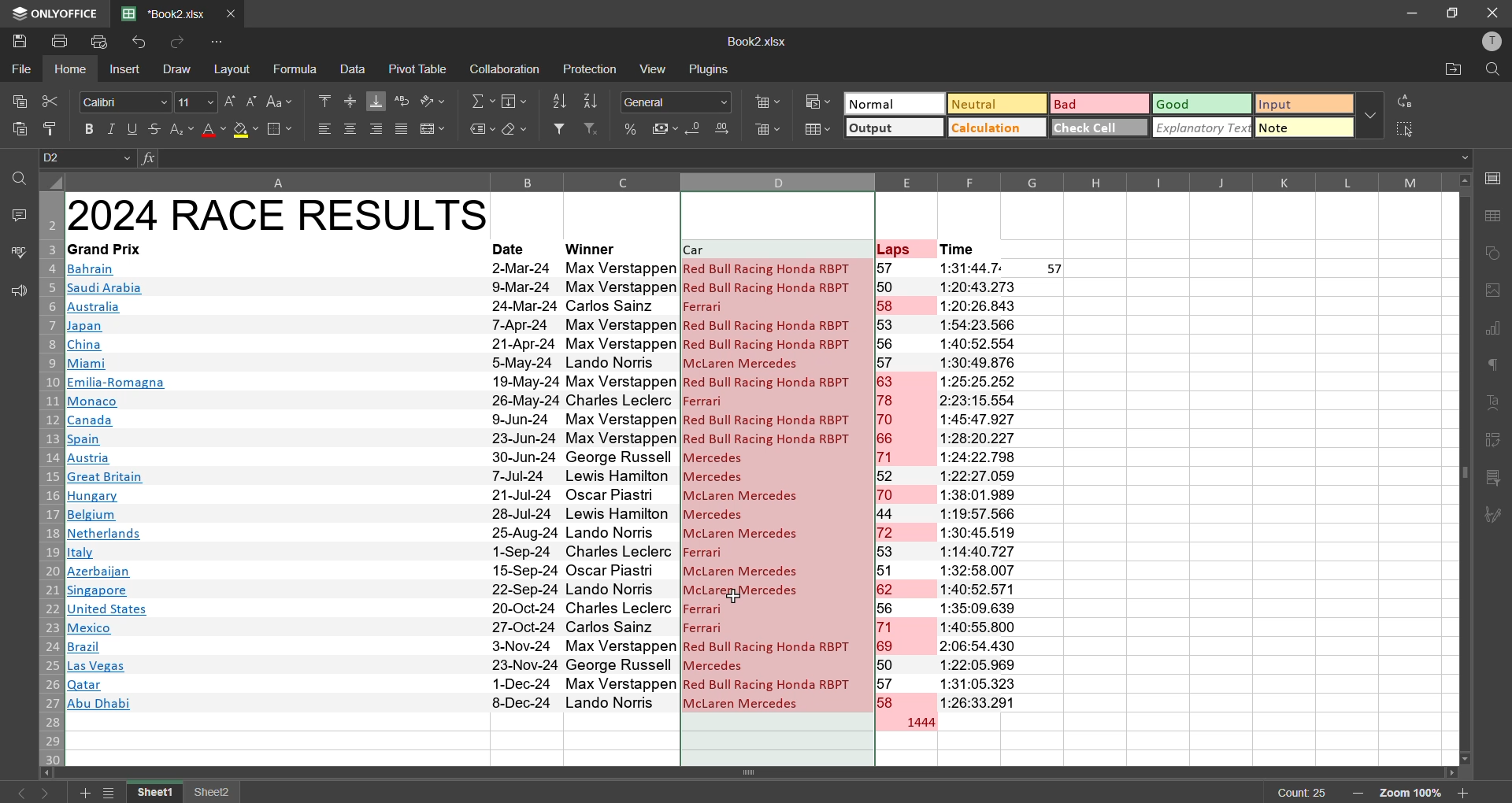 The image size is (1512, 803). I want to click on grand prix, so click(104, 249).